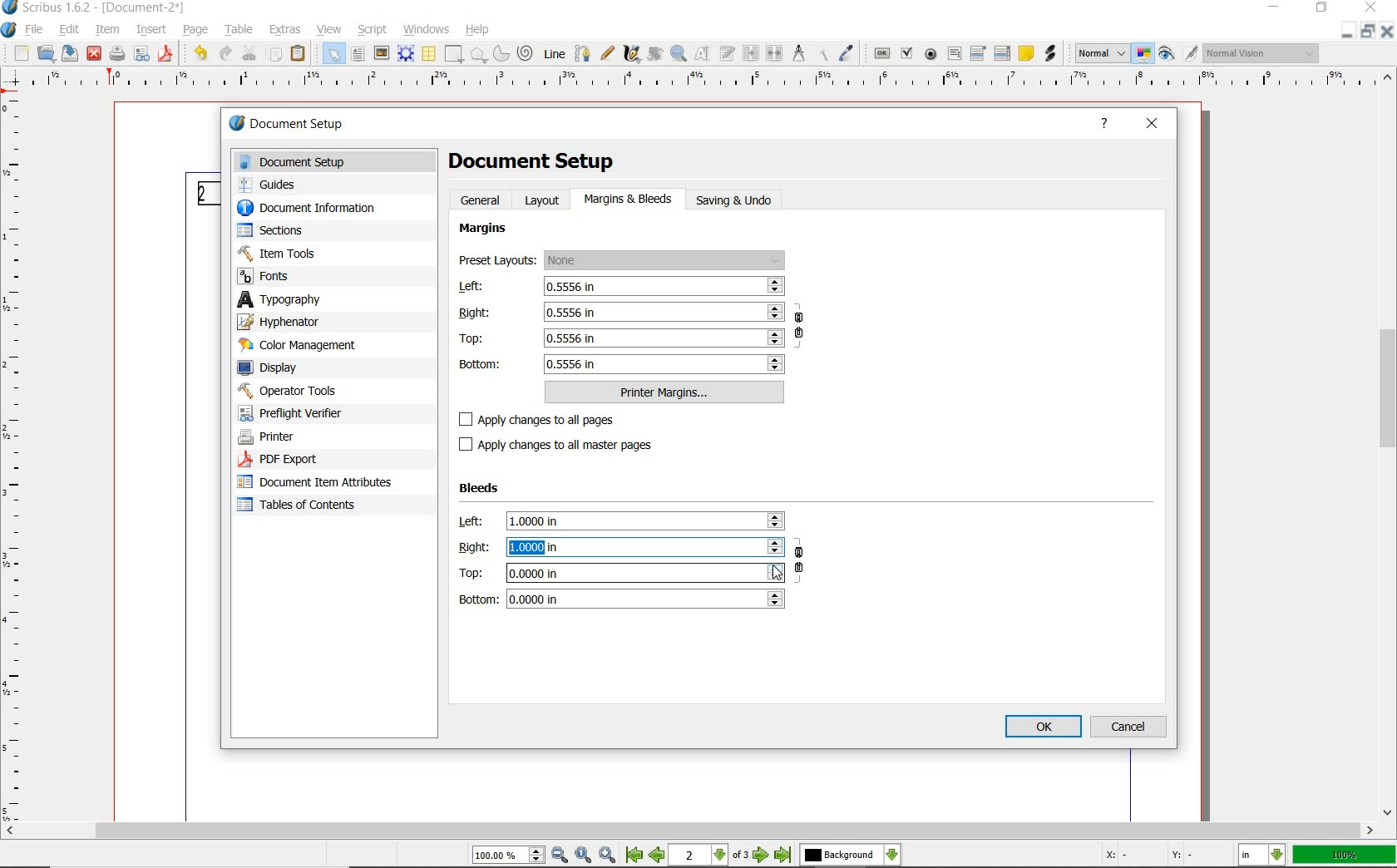 This screenshot has width=1397, height=868. Describe the element at coordinates (704, 54) in the screenshot. I see `edit contents of frame` at that location.